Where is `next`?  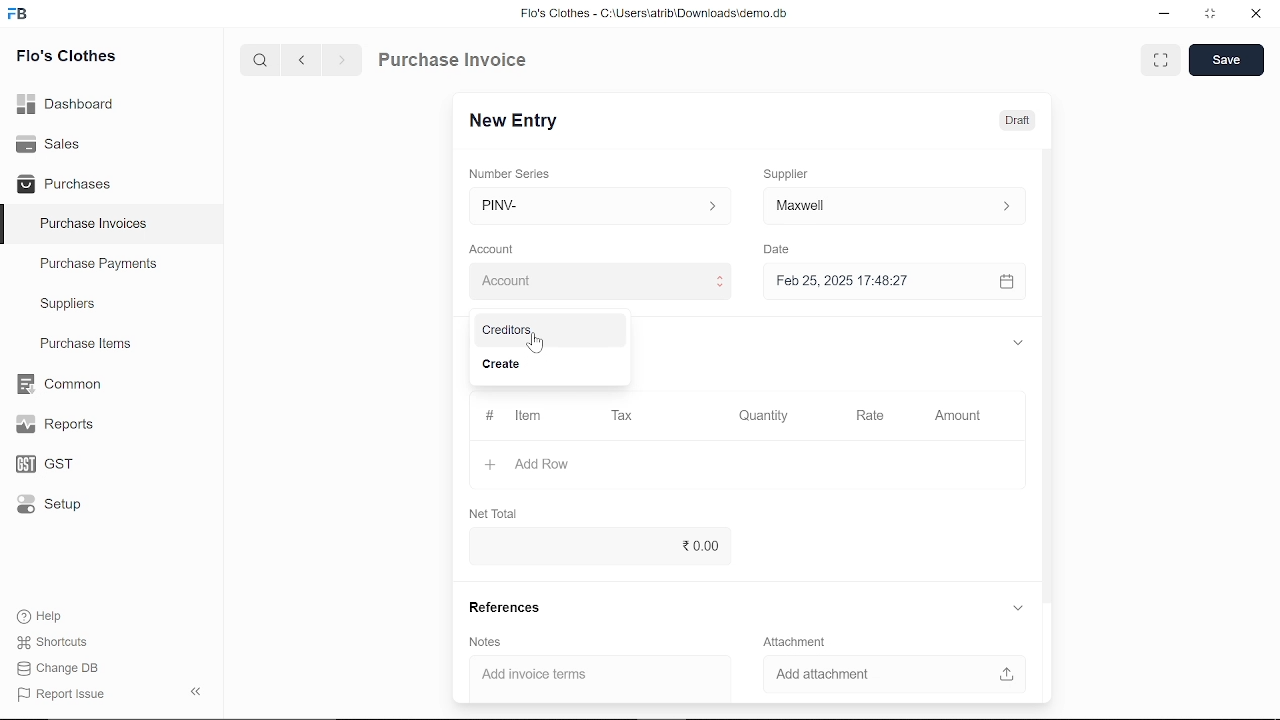
next is located at coordinates (342, 63).